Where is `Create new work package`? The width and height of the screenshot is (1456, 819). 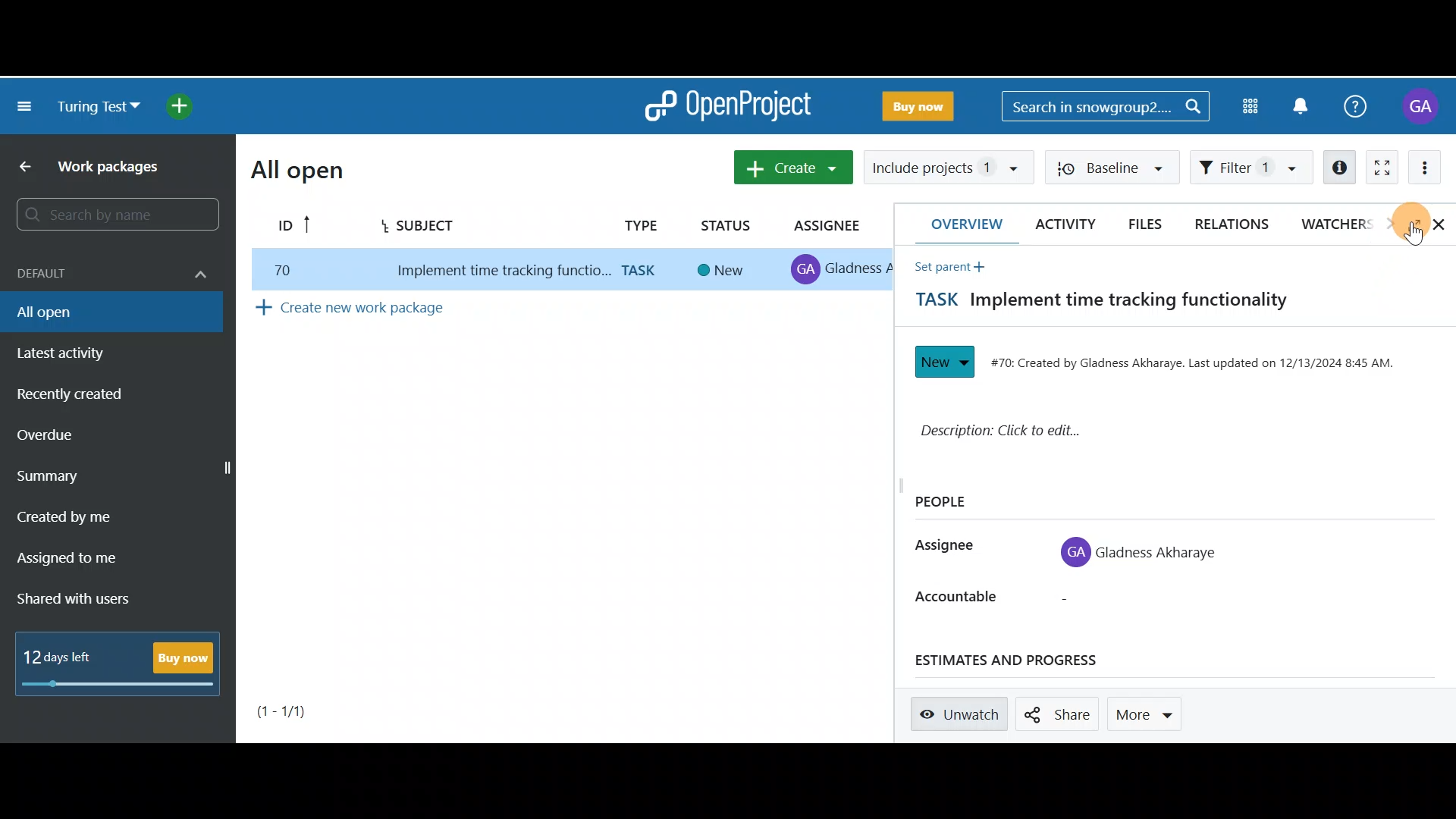 Create new work package is located at coordinates (359, 309).